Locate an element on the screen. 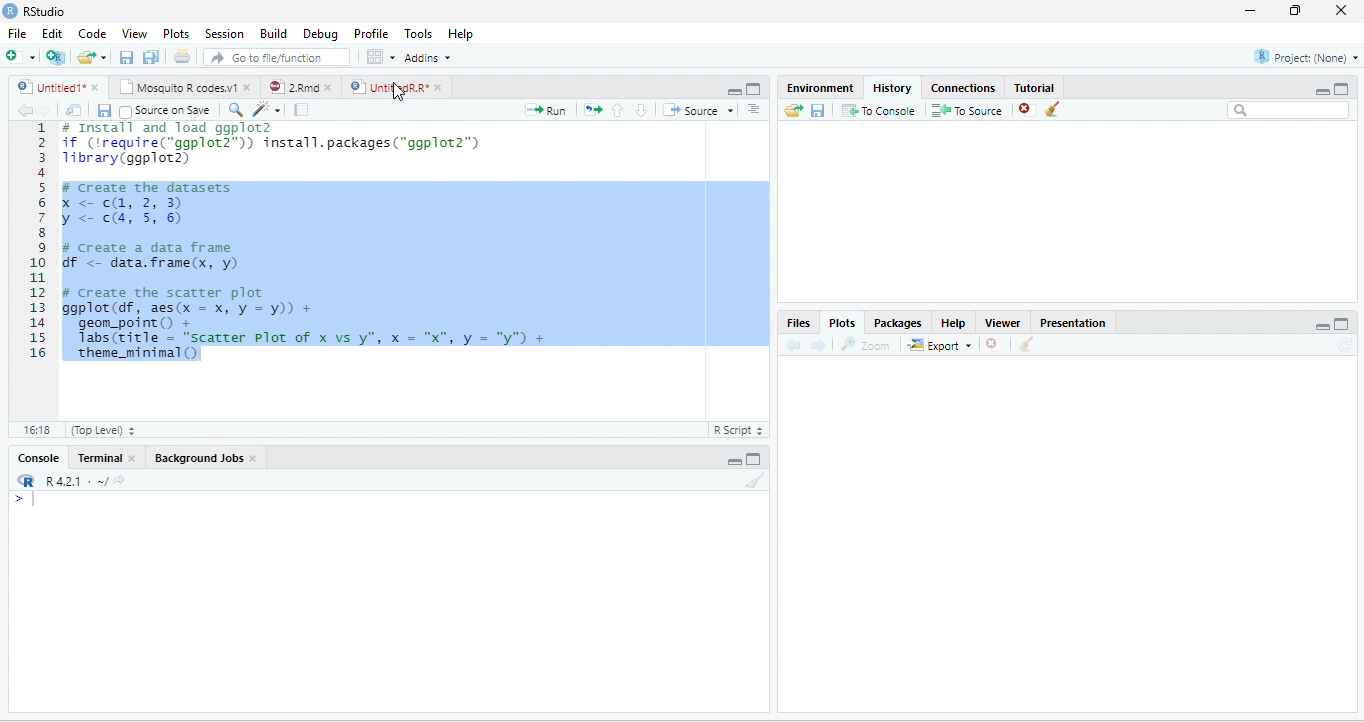 This screenshot has height=722, width=1364. R 4.2.1 . ~/ is located at coordinates (75, 481).